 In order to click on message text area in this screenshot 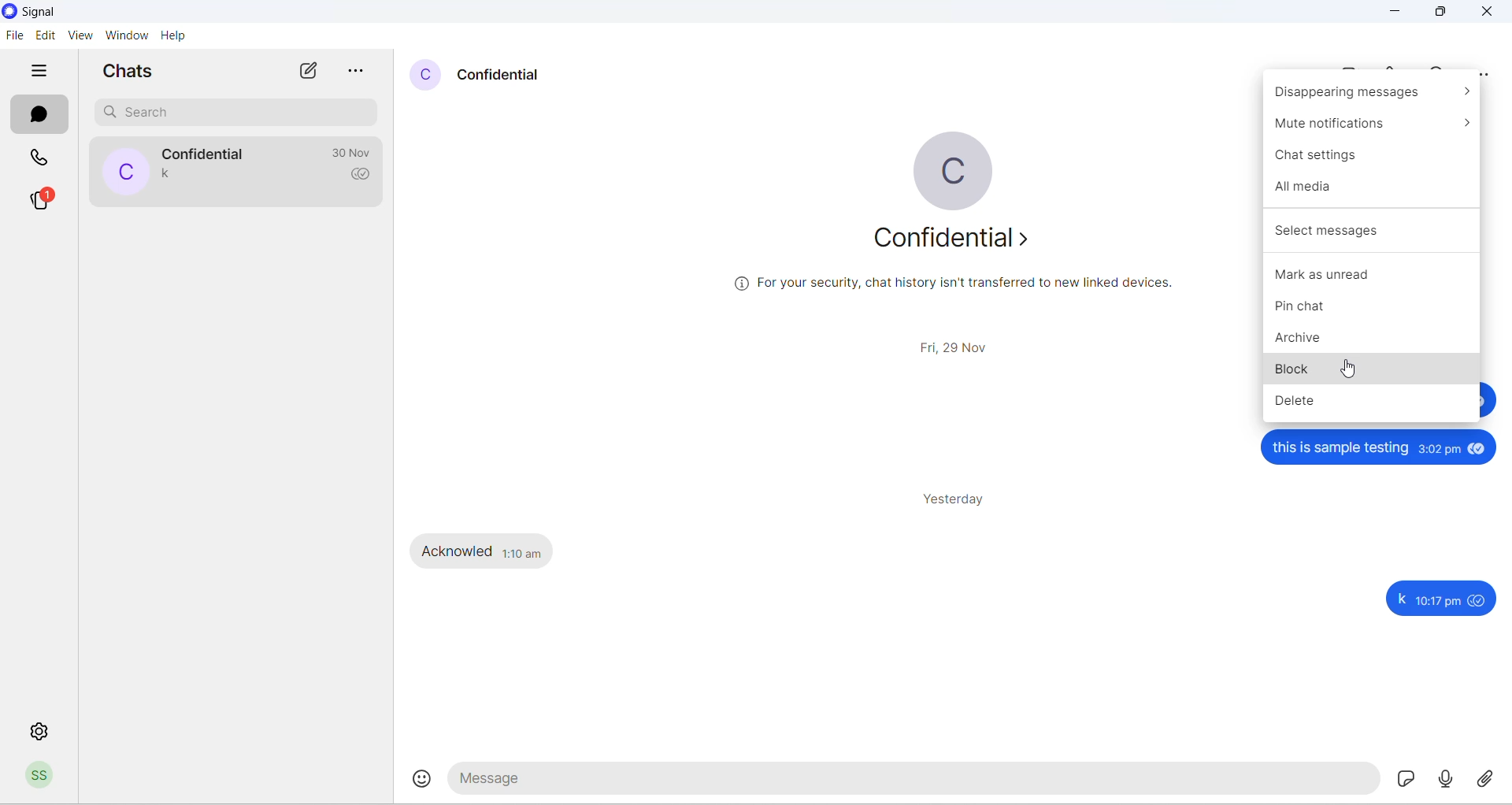, I will do `click(911, 782)`.